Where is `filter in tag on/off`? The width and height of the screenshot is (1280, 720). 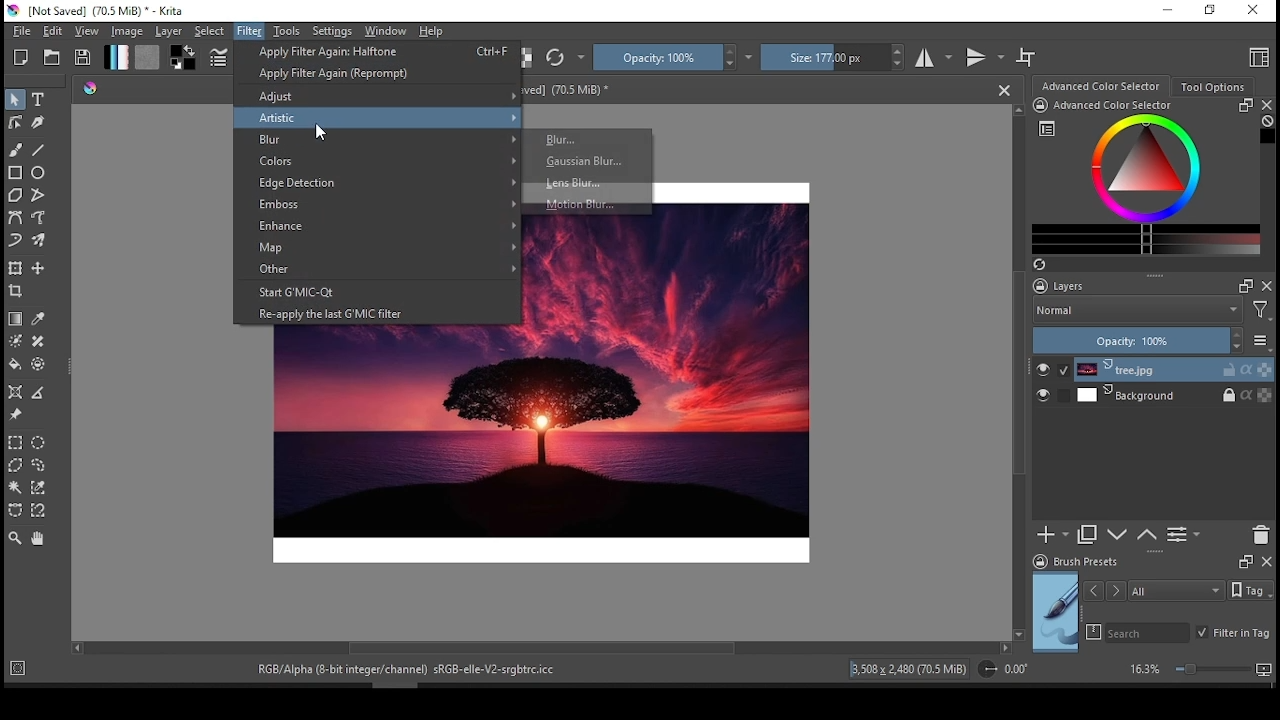 filter in tag on/off is located at coordinates (1232, 635).